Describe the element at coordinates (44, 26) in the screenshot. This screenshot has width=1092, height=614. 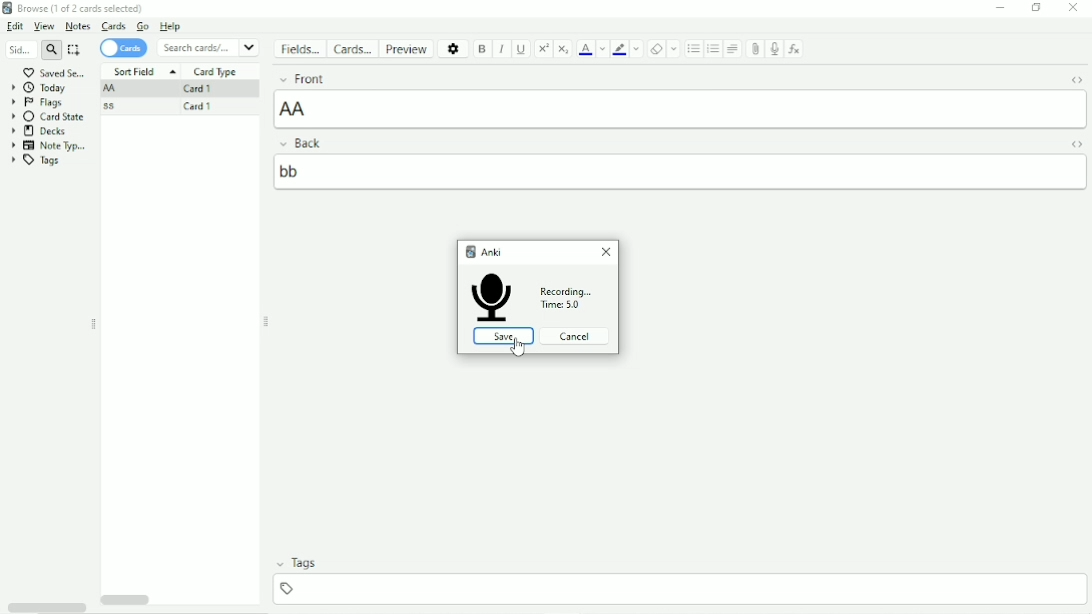
I see `View` at that location.